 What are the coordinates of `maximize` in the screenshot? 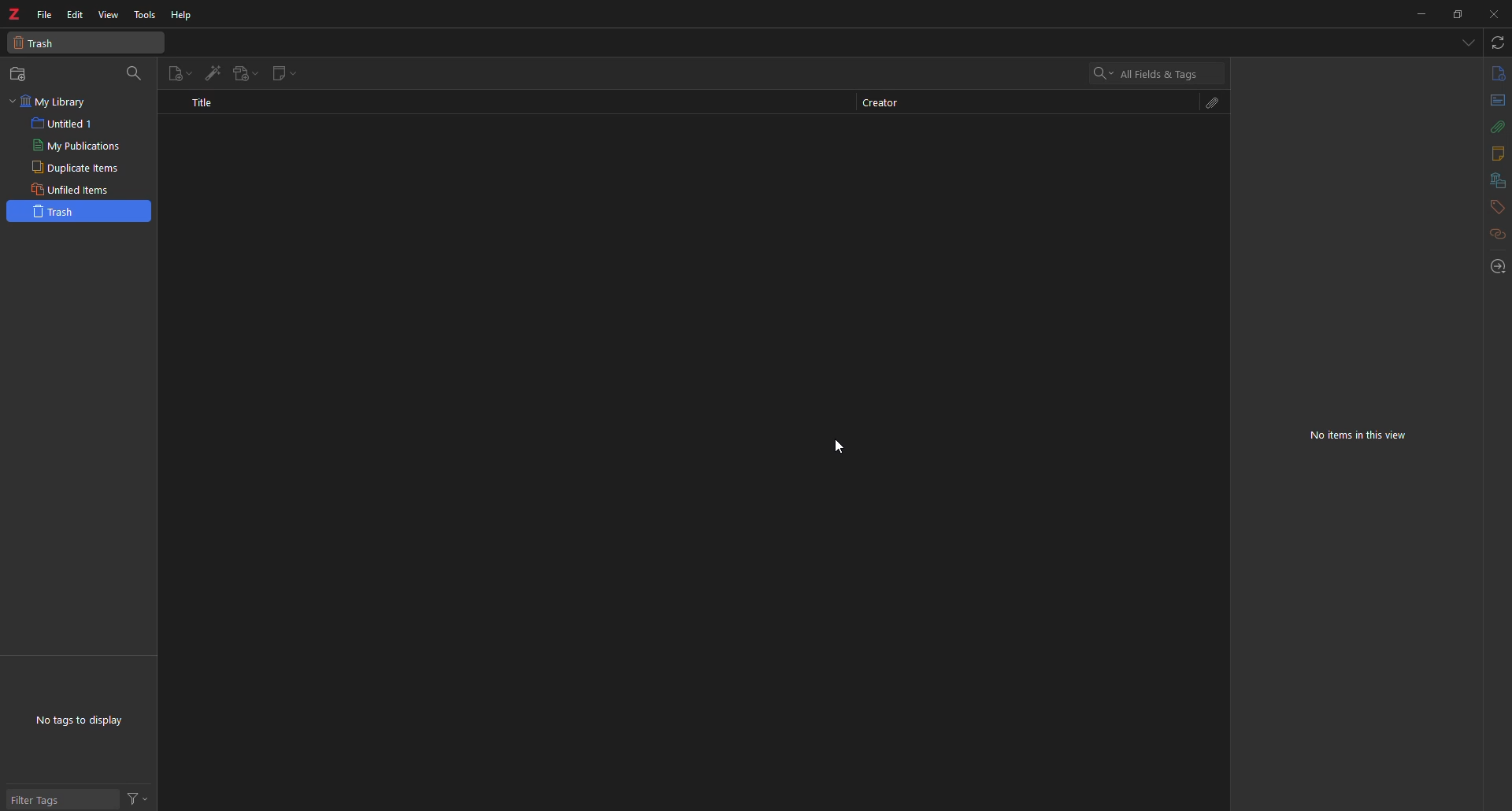 It's located at (1458, 15).